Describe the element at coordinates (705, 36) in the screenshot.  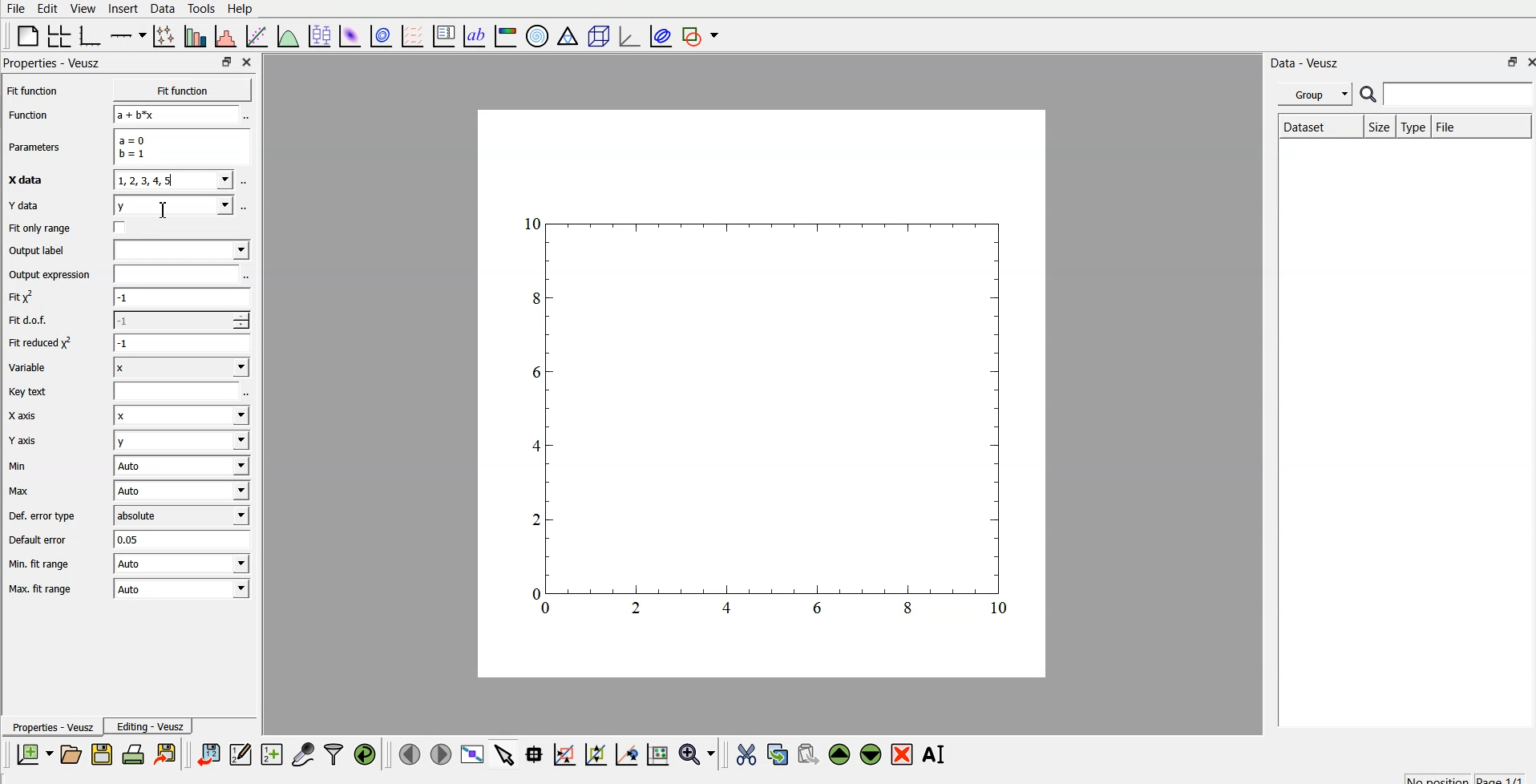
I see `add shape` at that location.